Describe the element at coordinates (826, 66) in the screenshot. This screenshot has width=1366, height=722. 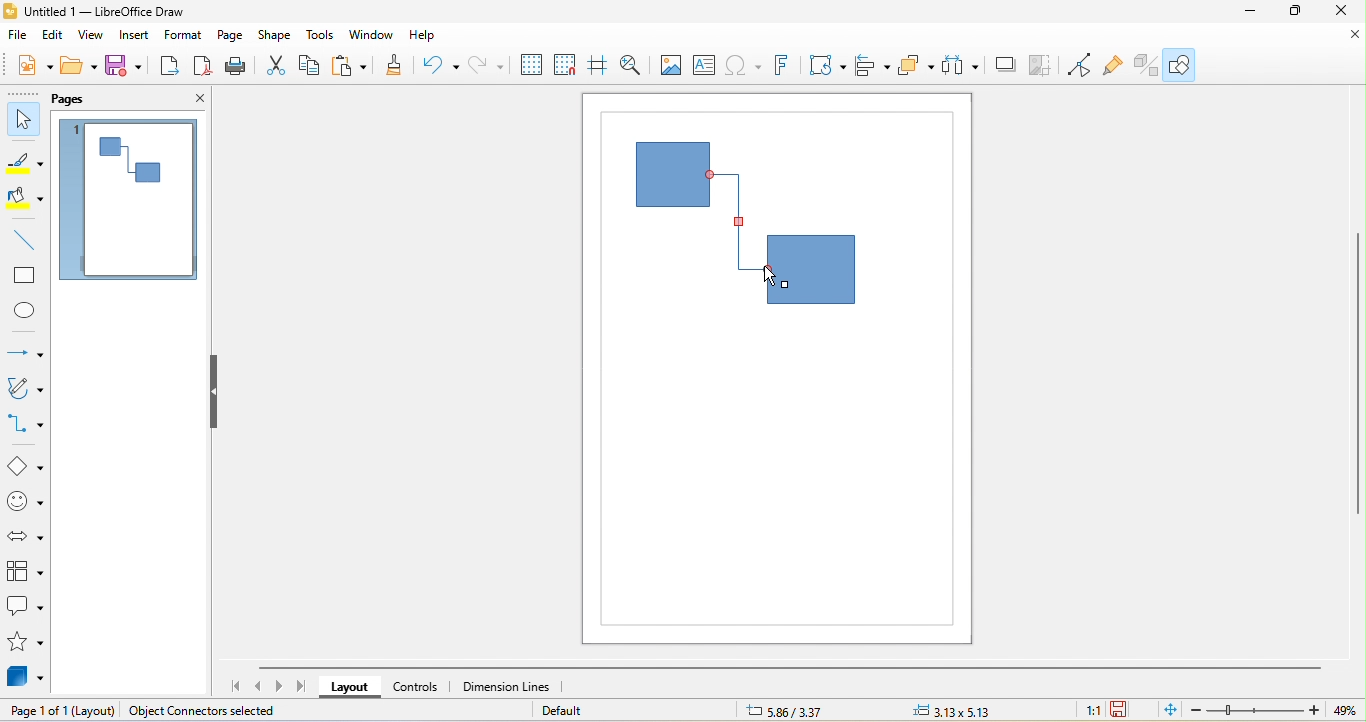
I see `transformation` at that location.